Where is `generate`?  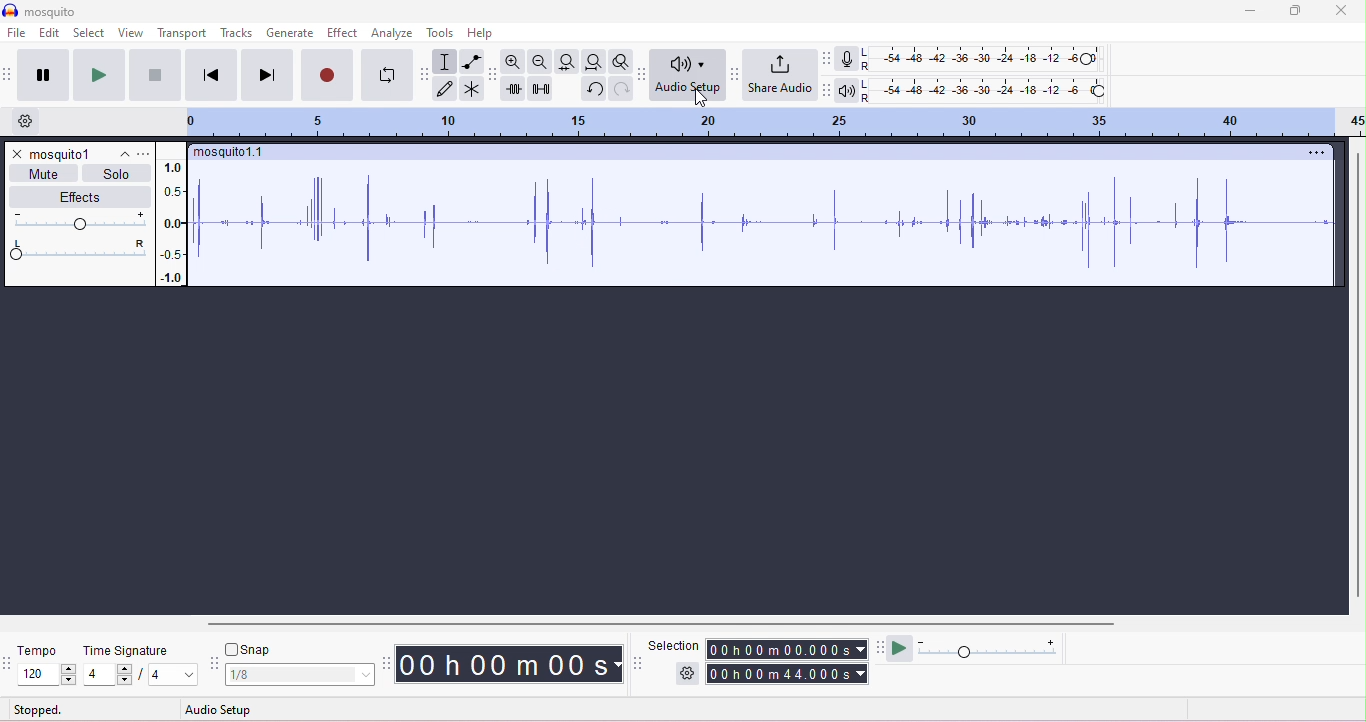 generate is located at coordinates (291, 34).